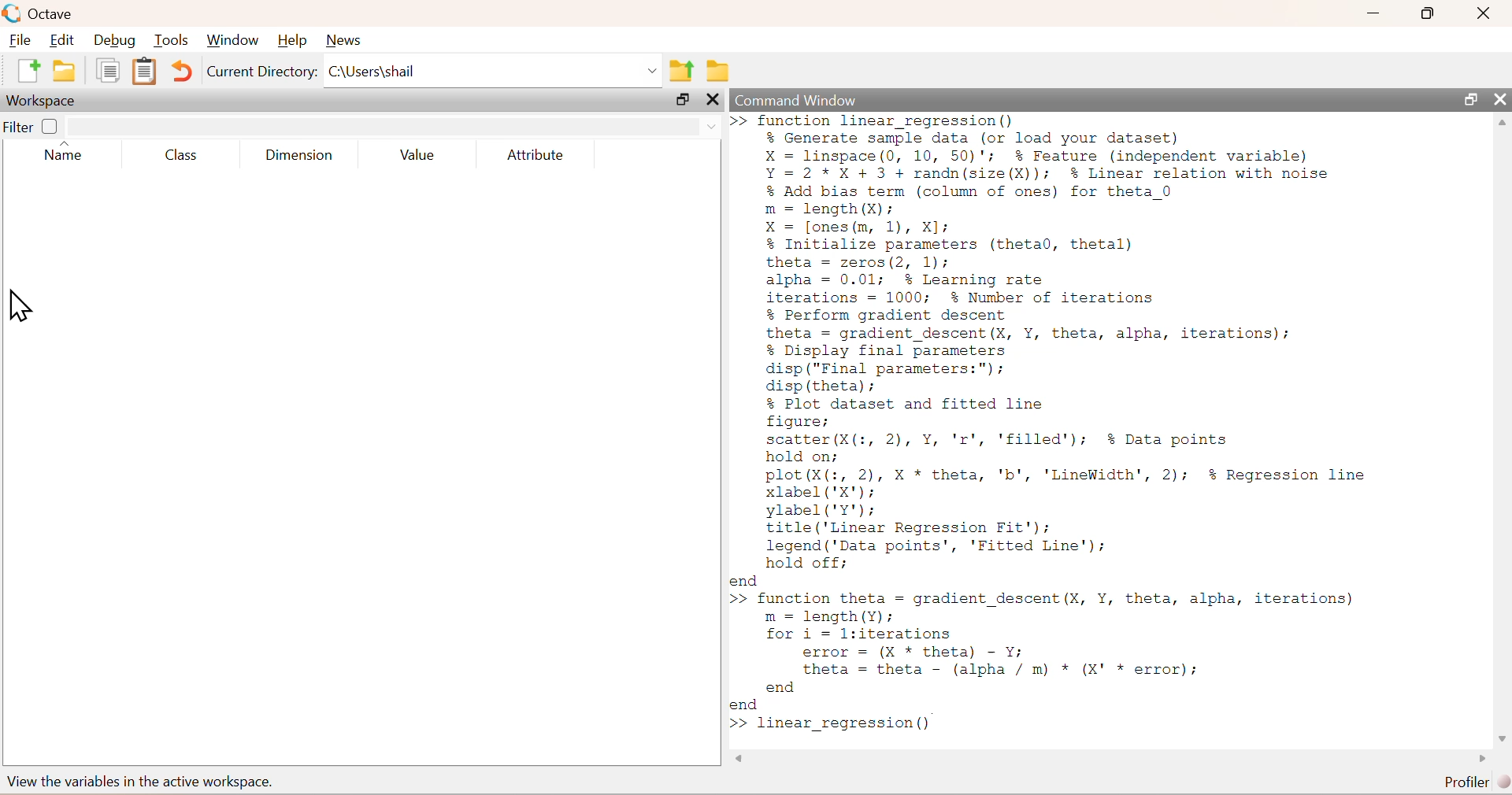 The image size is (1512, 795). I want to click on C:\Users|shail, so click(491, 70).